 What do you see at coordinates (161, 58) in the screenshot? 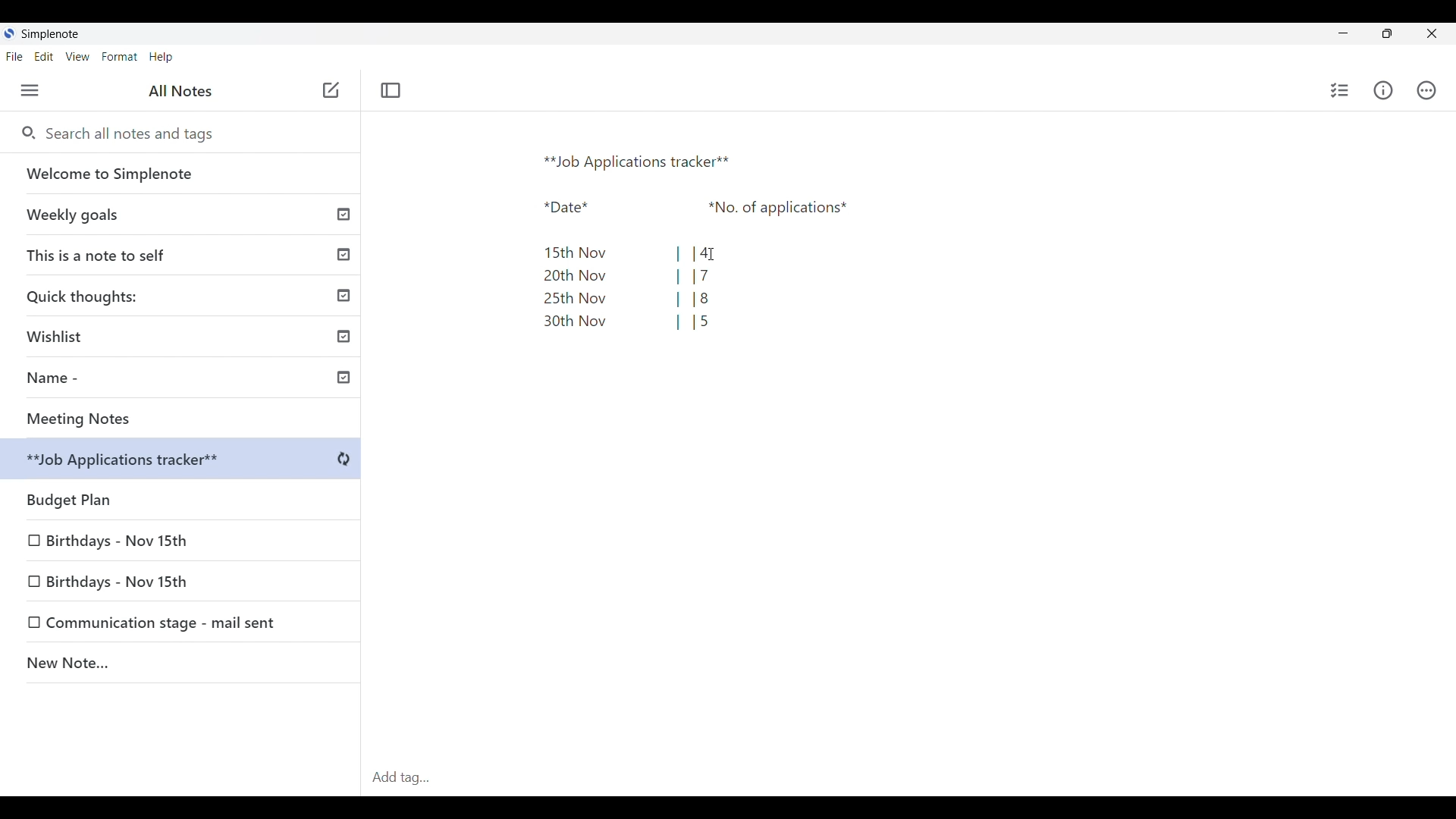
I see `Help` at bounding box center [161, 58].